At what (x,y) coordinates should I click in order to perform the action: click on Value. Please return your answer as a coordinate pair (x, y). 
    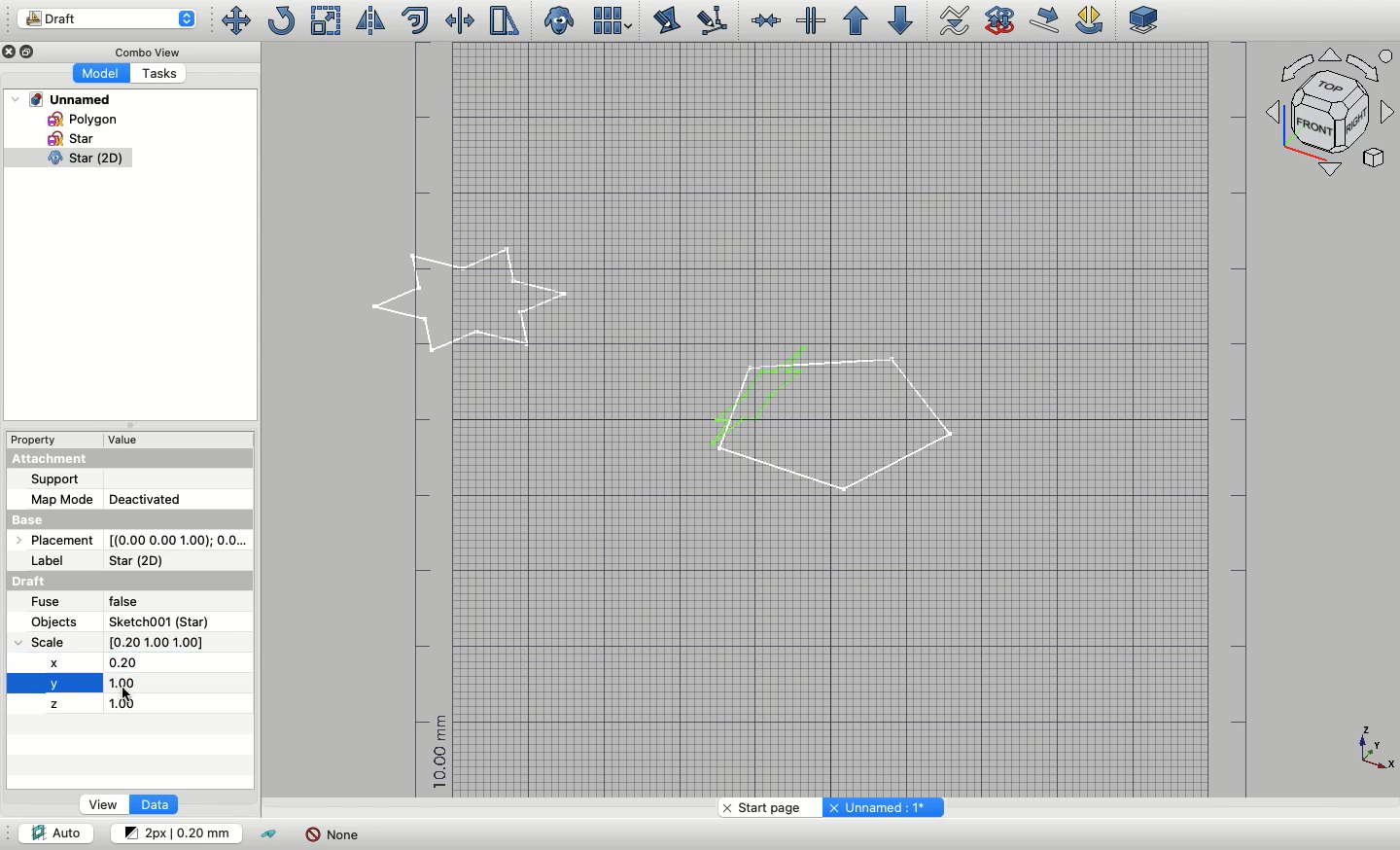
    Looking at the image, I should click on (130, 440).